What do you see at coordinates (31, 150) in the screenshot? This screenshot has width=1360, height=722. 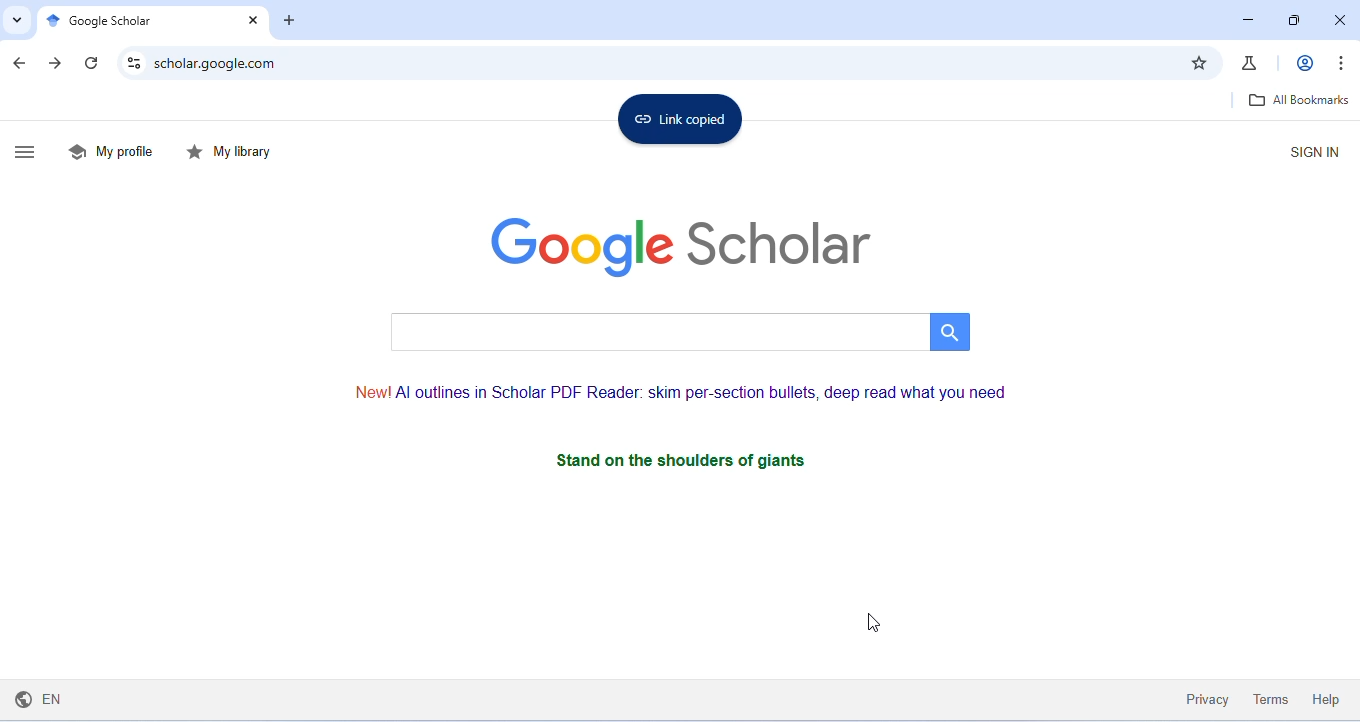 I see `show side bar` at bounding box center [31, 150].